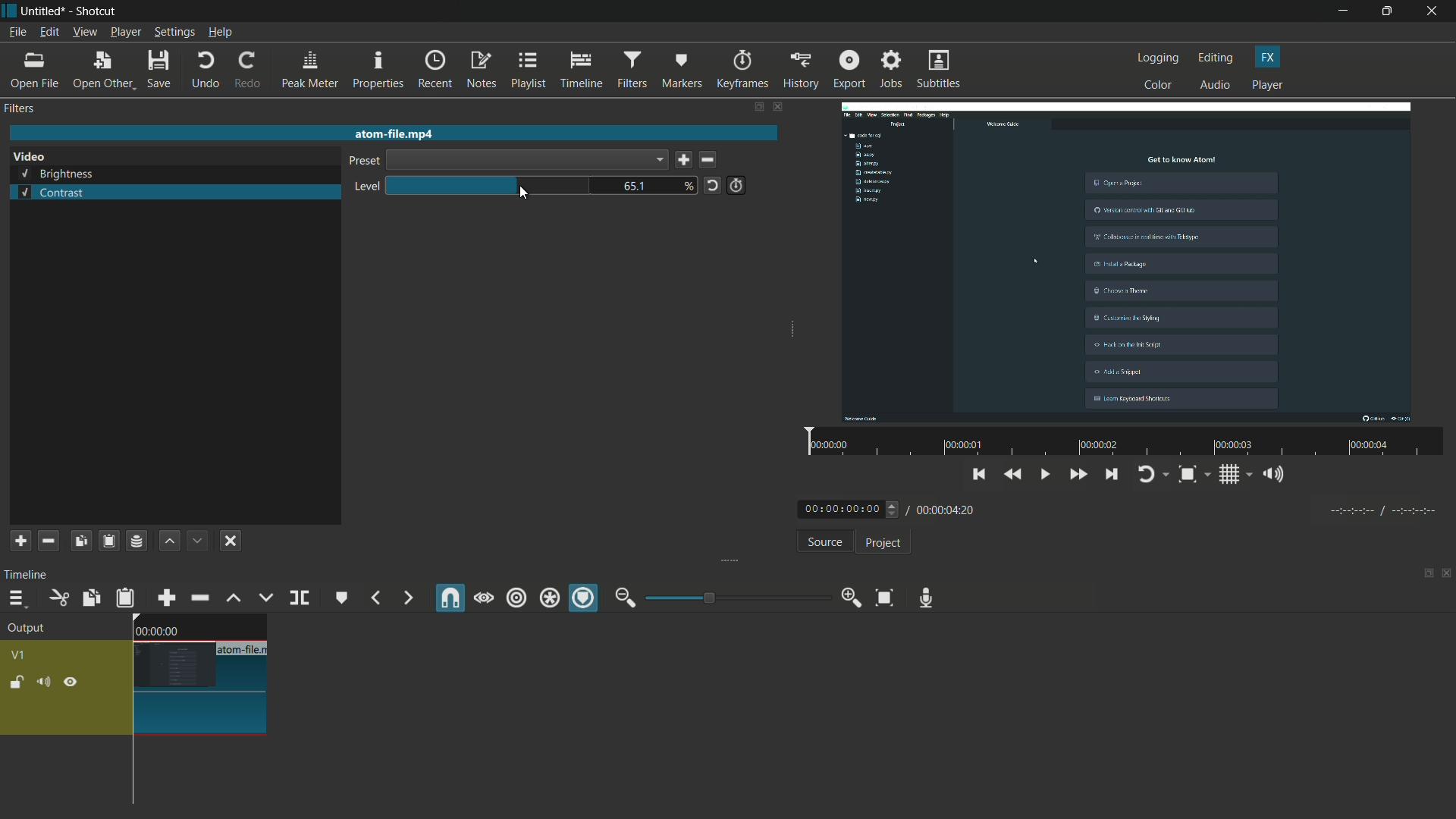  What do you see at coordinates (31, 629) in the screenshot?
I see `output` at bounding box center [31, 629].